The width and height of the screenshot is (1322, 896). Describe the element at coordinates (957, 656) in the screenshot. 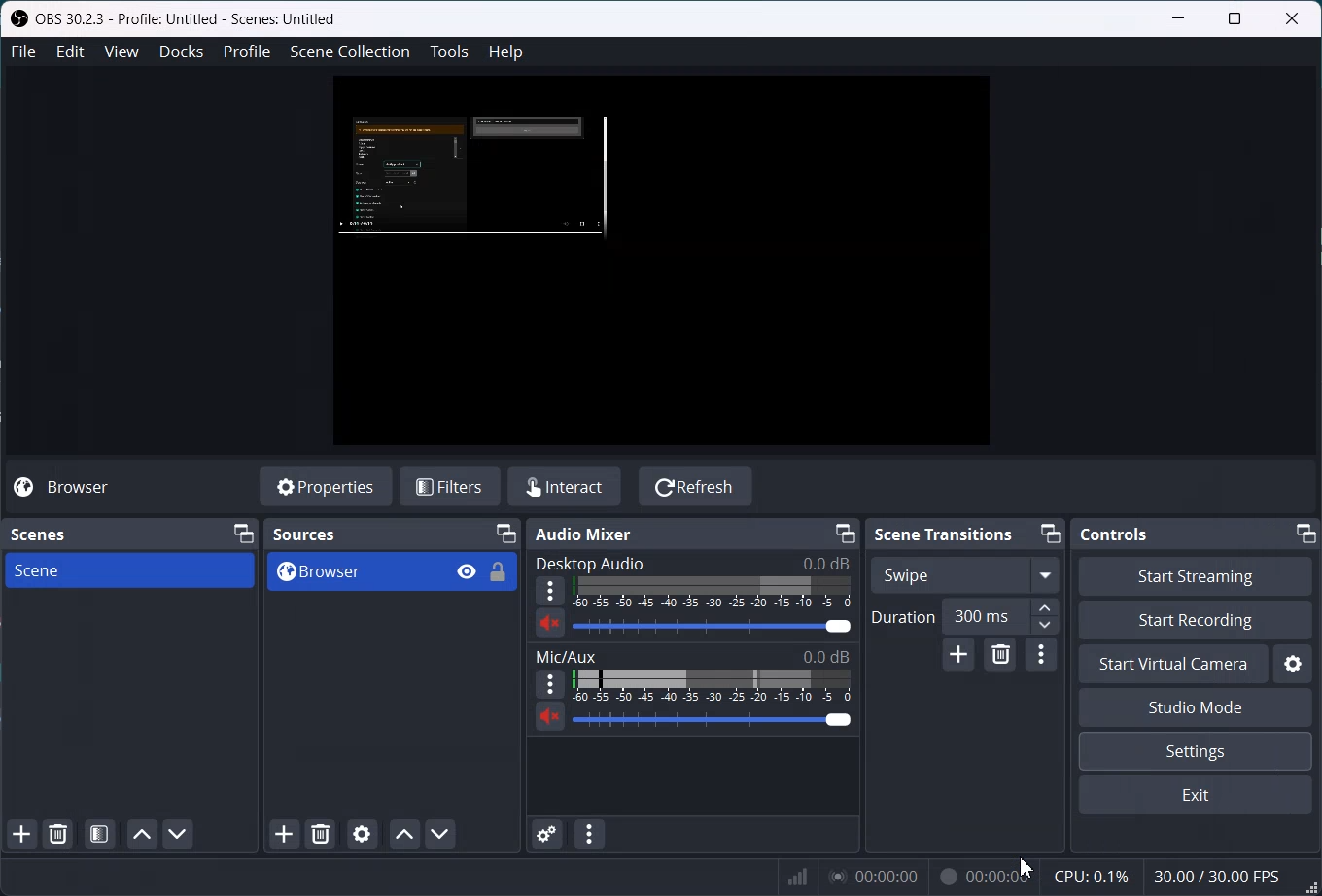

I see `Add configurable transition` at that location.